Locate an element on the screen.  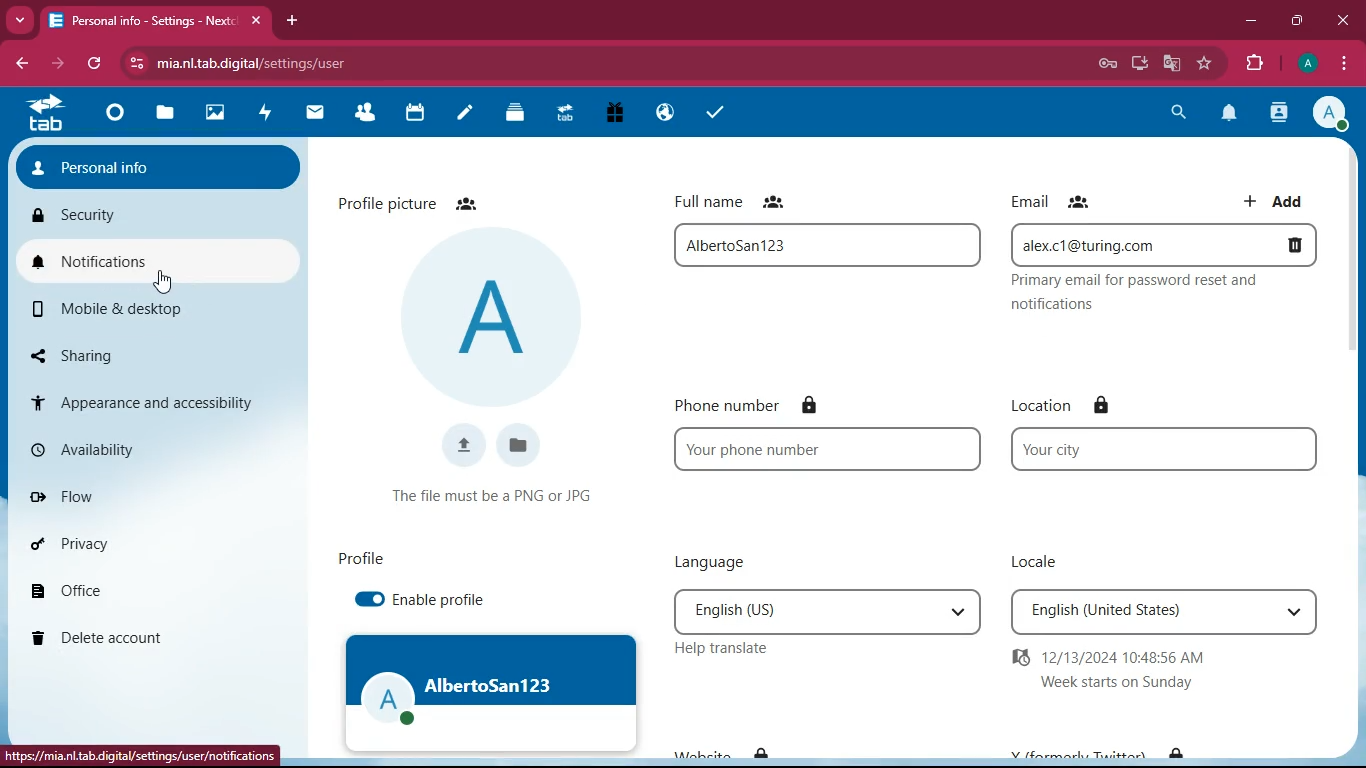
search is located at coordinates (1177, 114).